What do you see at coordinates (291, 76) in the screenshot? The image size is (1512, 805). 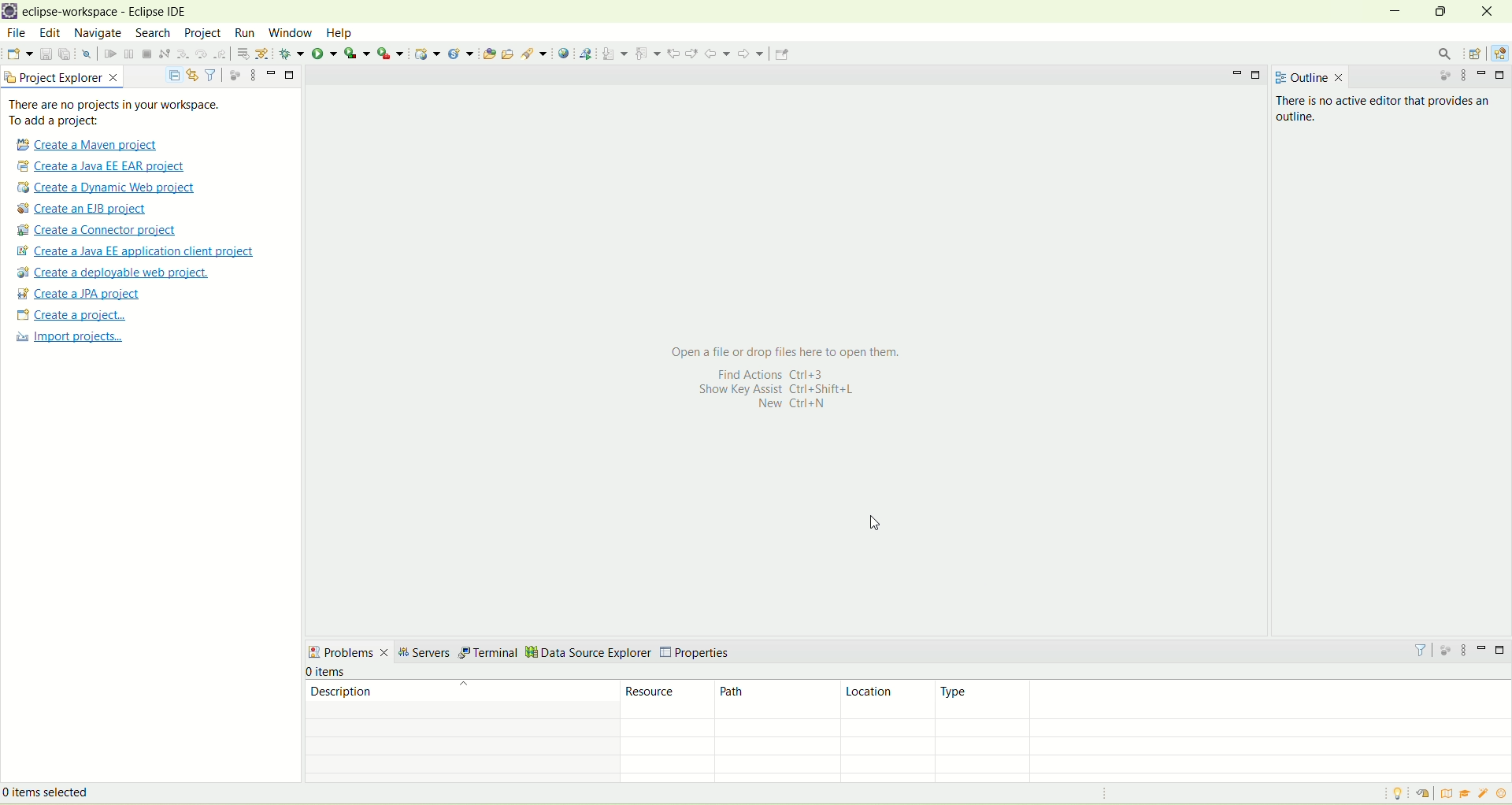 I see `maximize` at bounding box center [291, 76].